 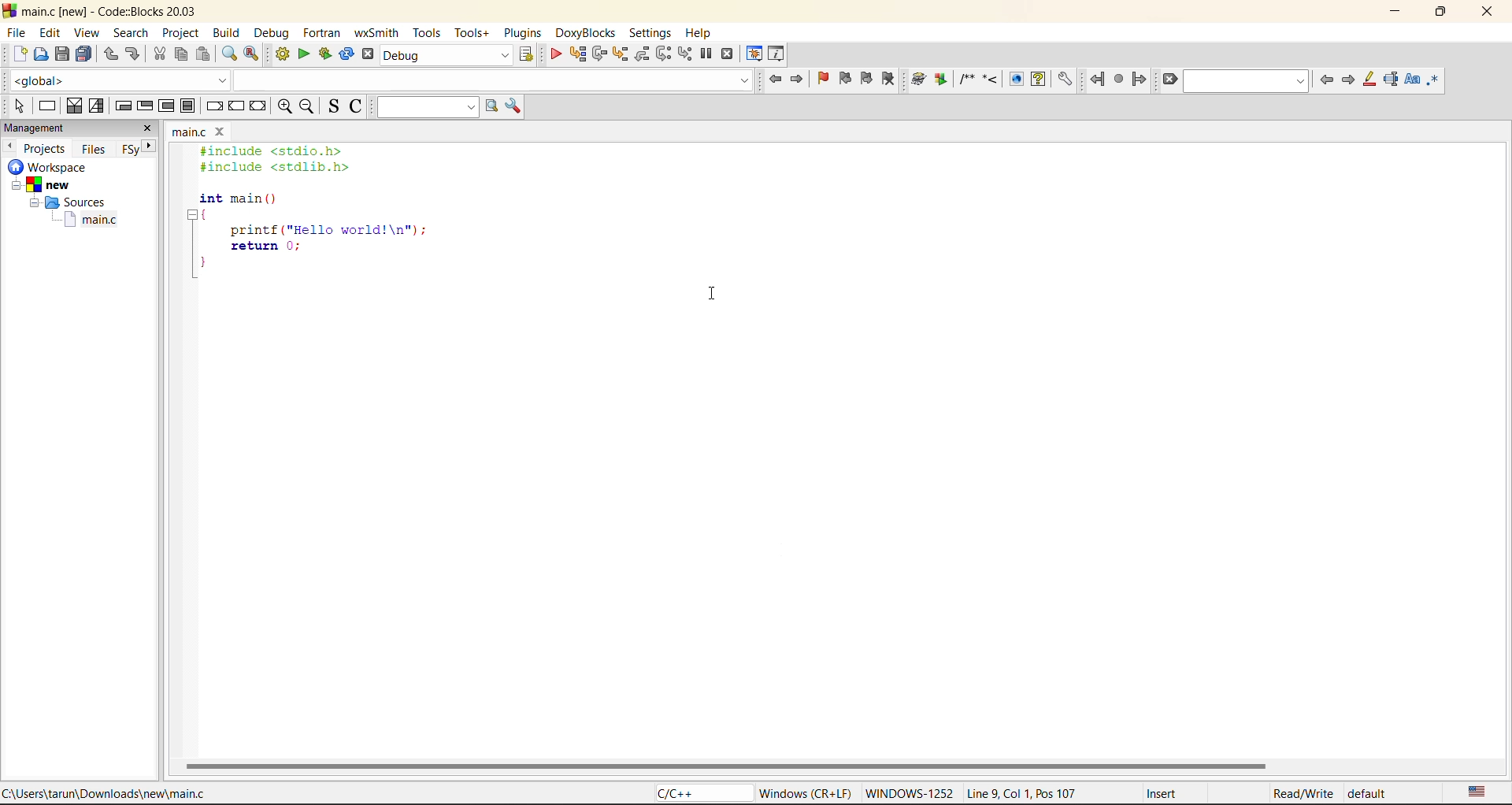 What do you see at coordinates (778, 52) in the screenshot?
I see `various info` at bounding box center [778, 52].